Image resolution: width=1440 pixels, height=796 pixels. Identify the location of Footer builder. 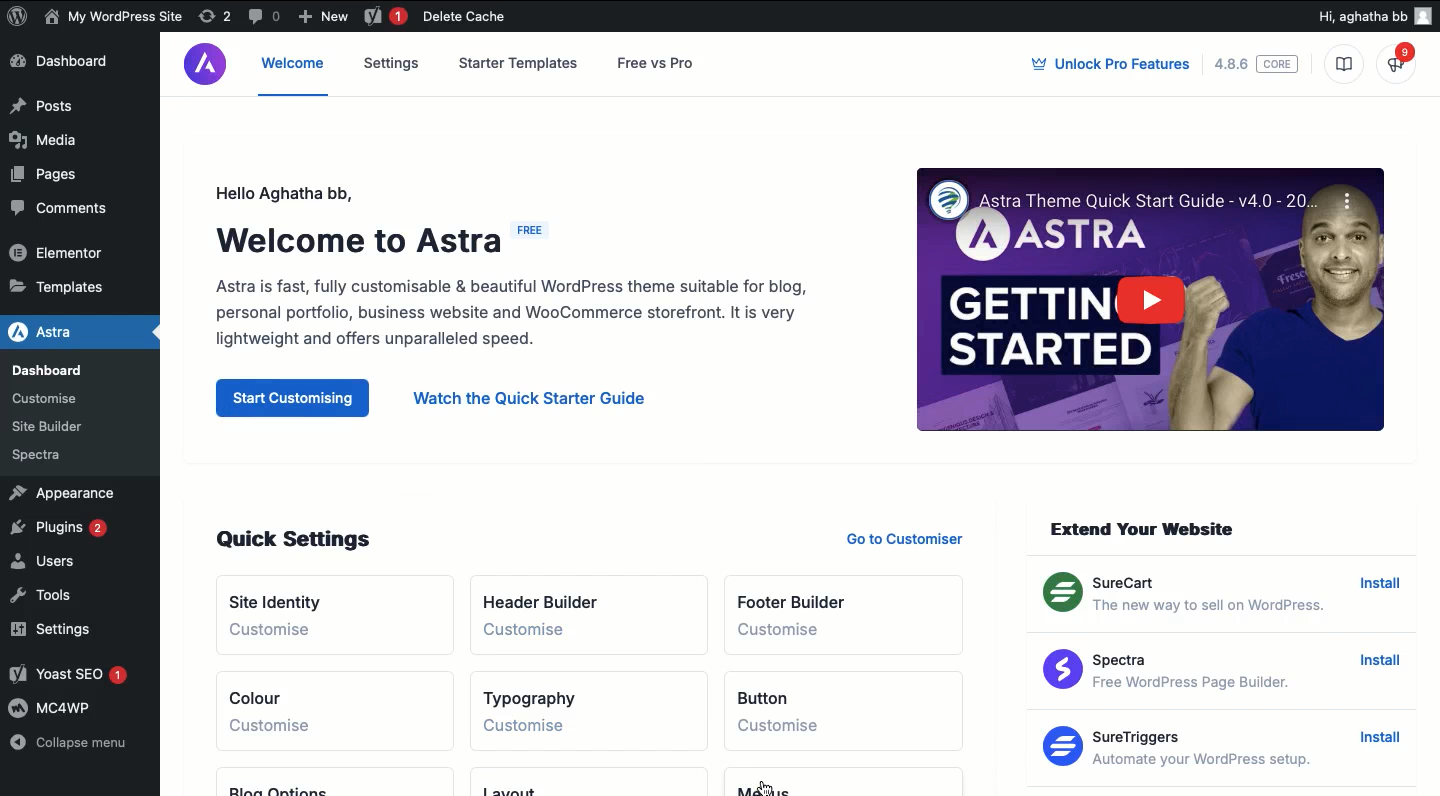
(795, 593).